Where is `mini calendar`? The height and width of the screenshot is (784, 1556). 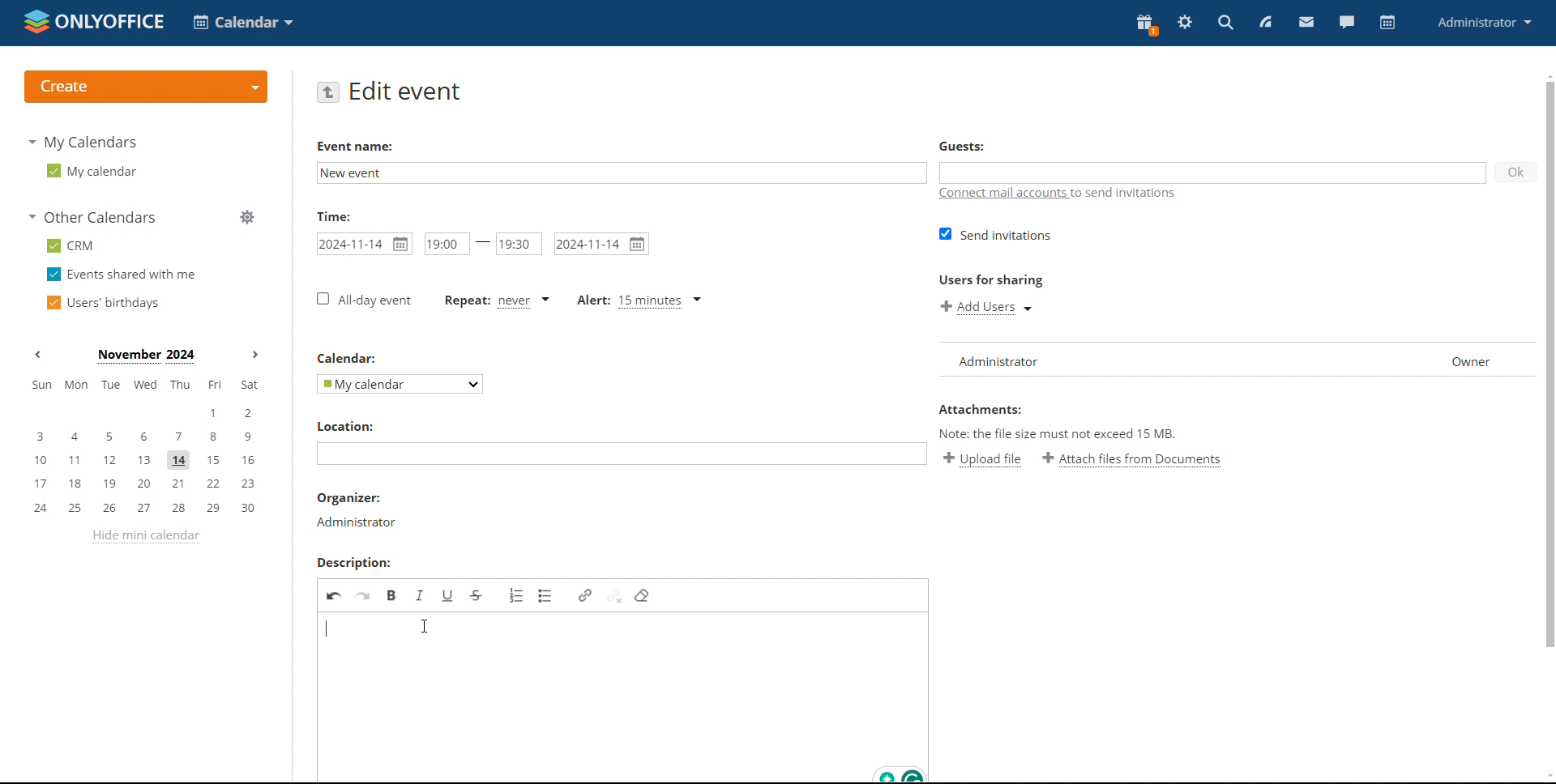
mini calendar is located at coordinates (143, 447).